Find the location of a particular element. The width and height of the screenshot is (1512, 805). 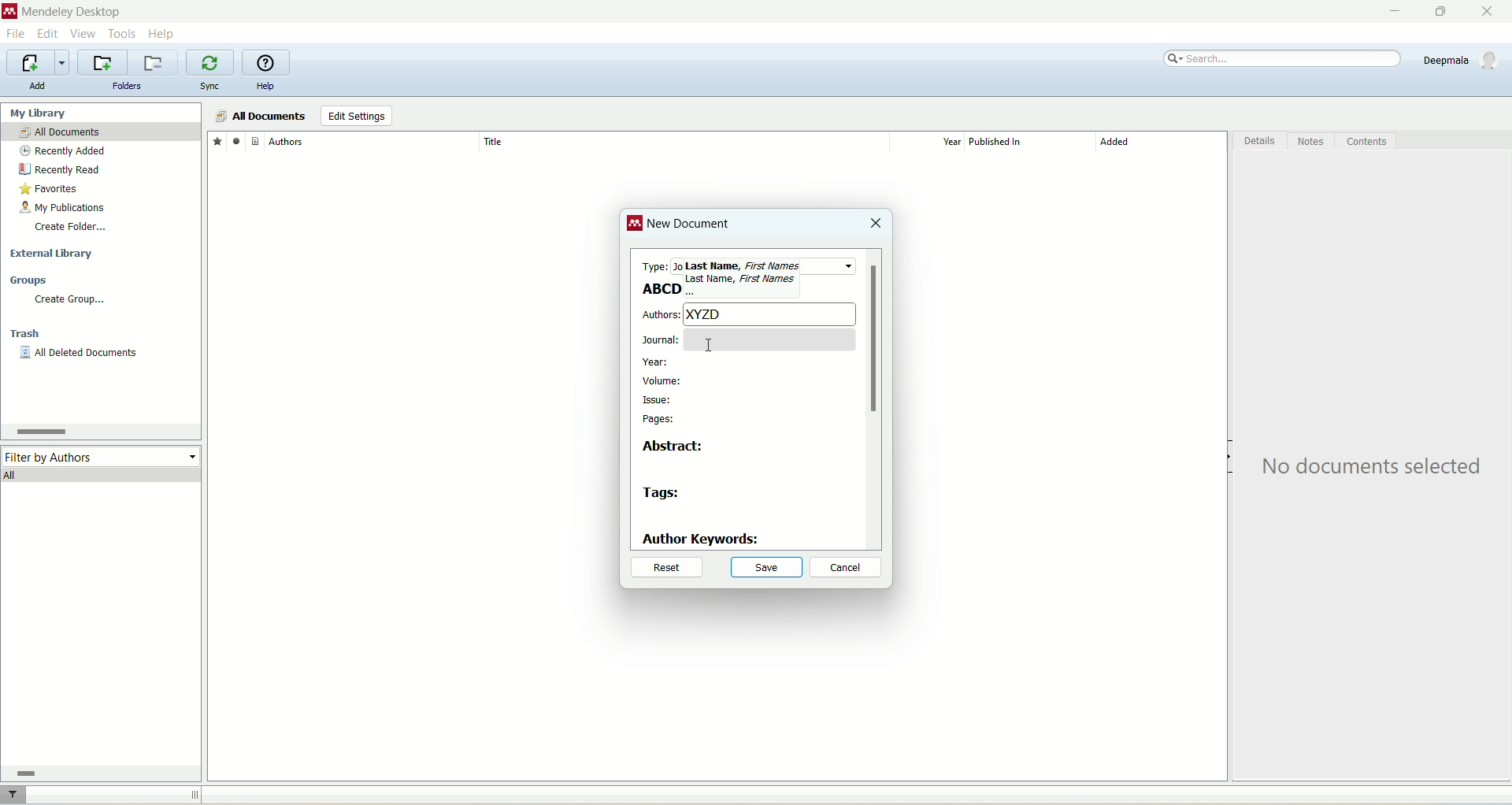

content is located at coordinates (1366, 142).